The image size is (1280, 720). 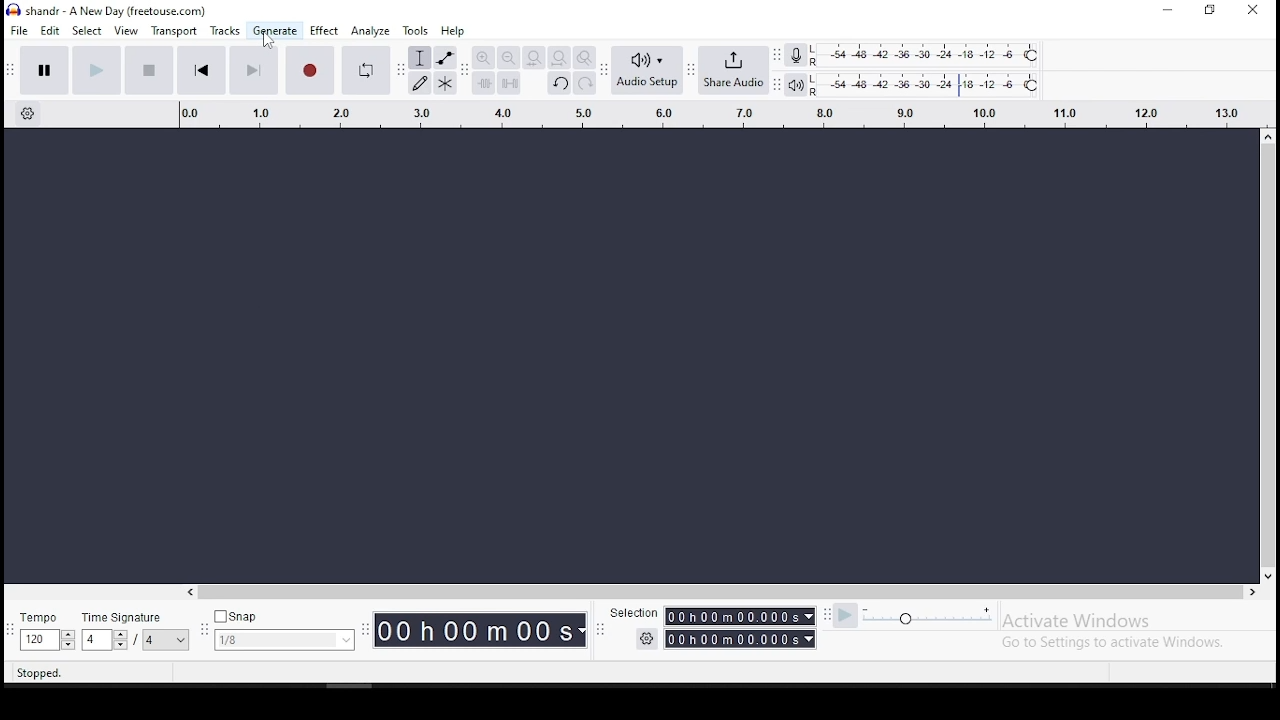 I want to click on time signature, so click(x=284, y=628).